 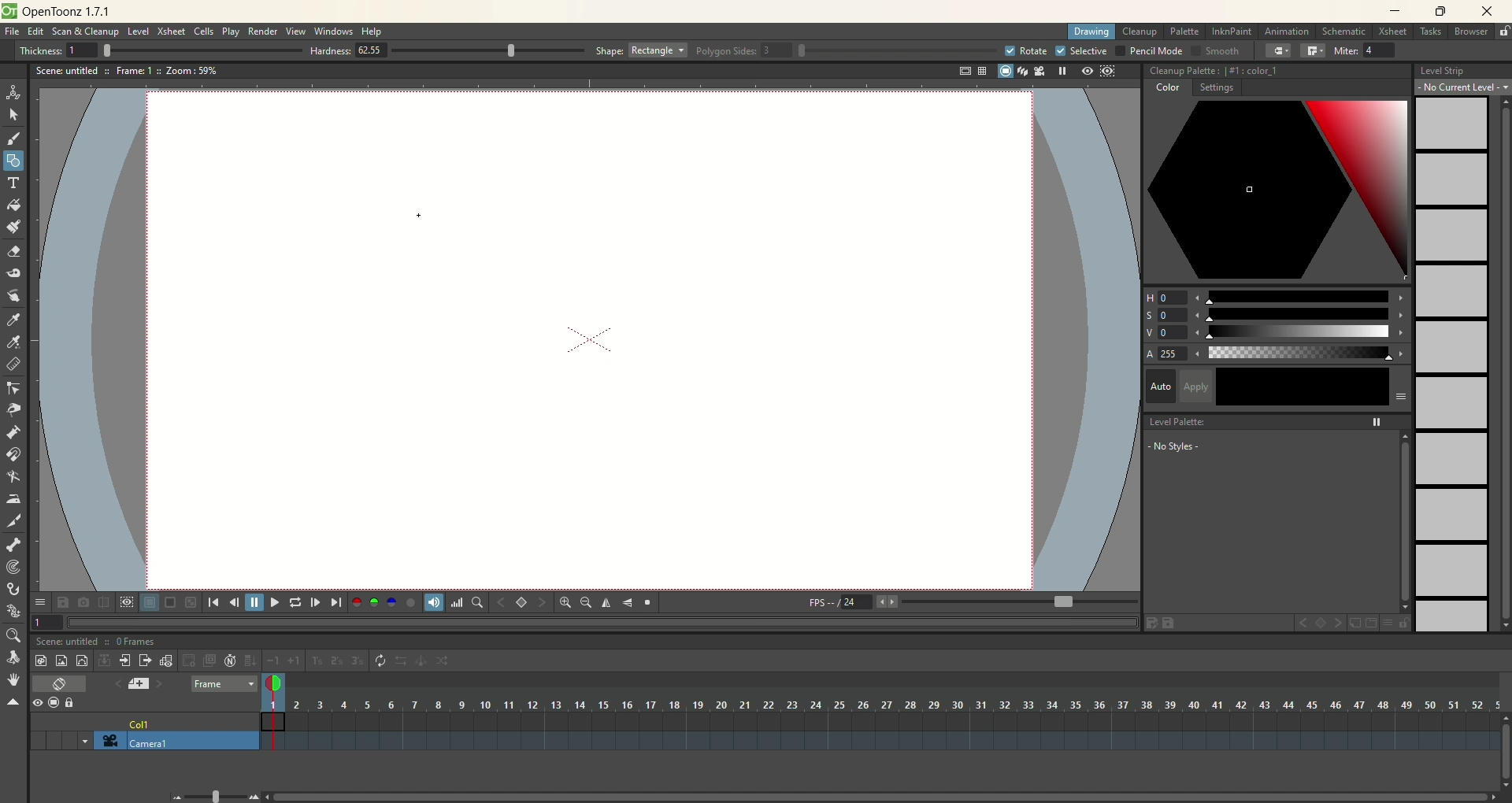 What do you see at coordinates (138, 683) in the screenshot?
I see `add new memo` at bounding box center [138, 683].